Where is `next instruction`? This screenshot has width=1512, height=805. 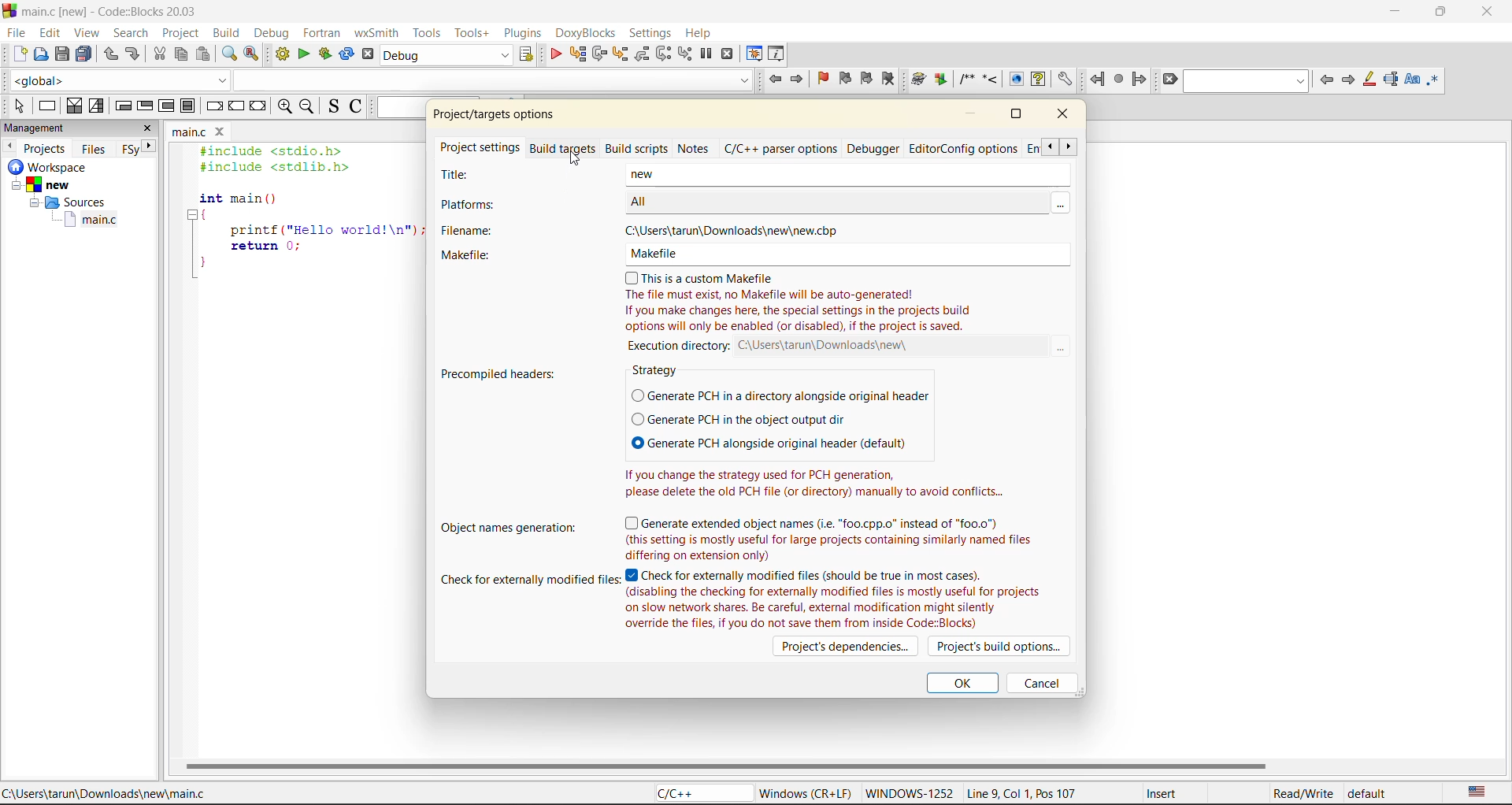 next instruction is located at coordinates (661, 53).